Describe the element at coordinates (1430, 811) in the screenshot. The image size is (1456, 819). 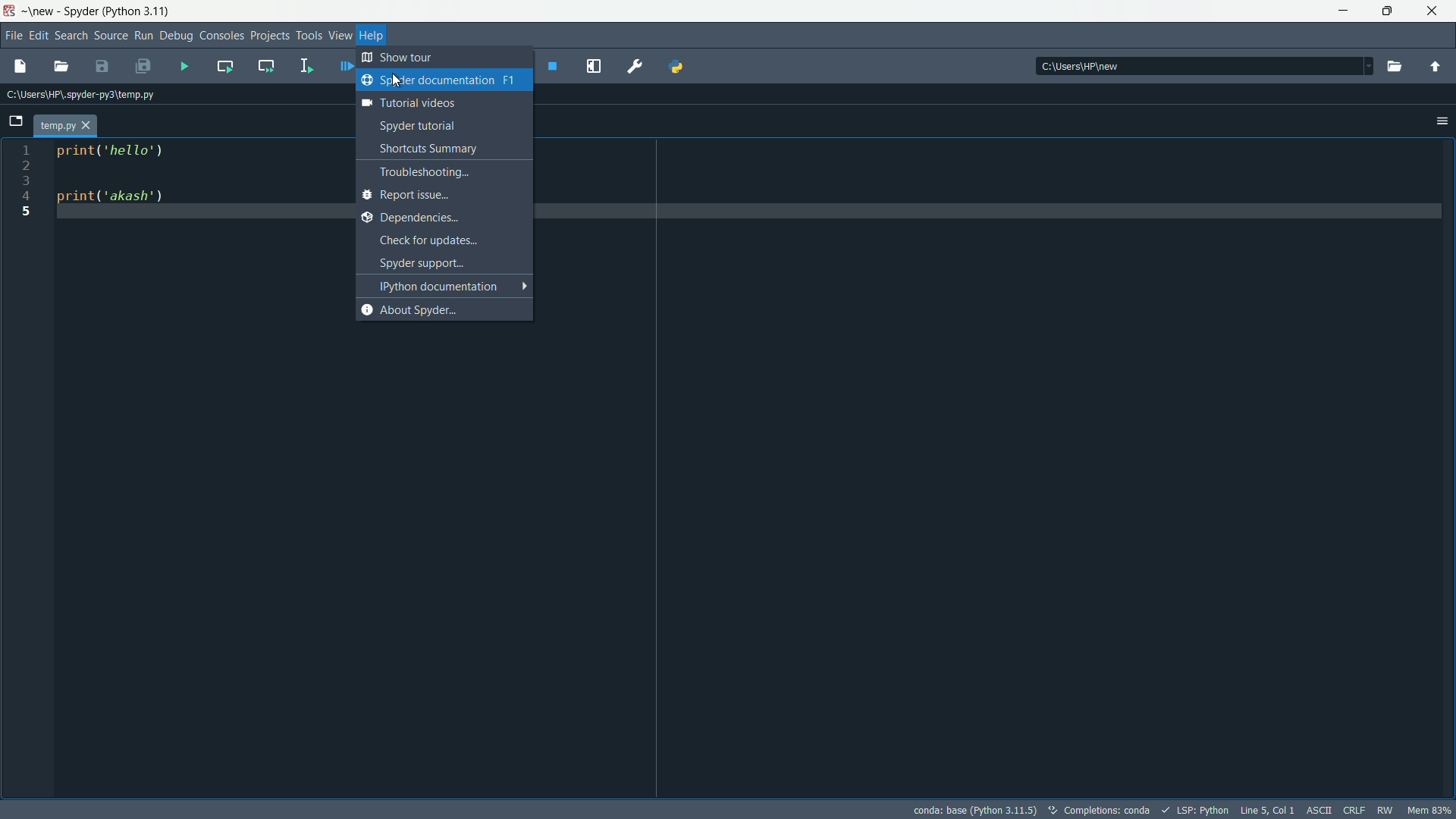
I see `memory usage` at that location.